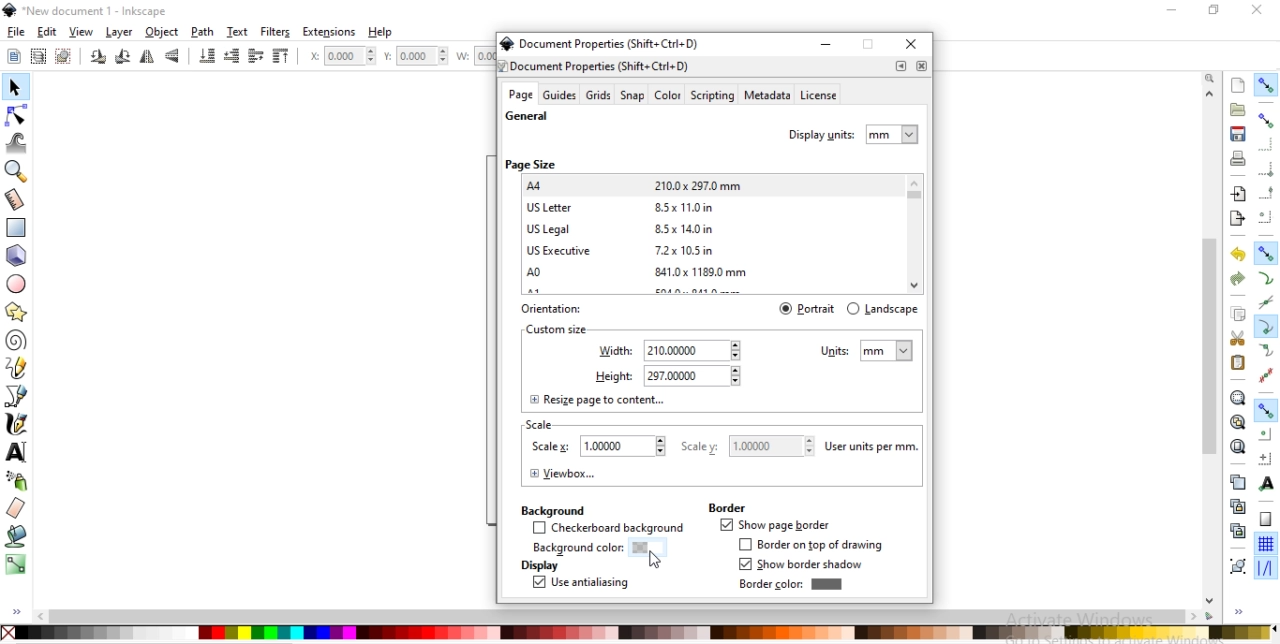 This screenshot has width=1280, height=644. What do you see at coordinates (921, 66) in the screenshot?
I see `close` at bounding box center [921, 66].